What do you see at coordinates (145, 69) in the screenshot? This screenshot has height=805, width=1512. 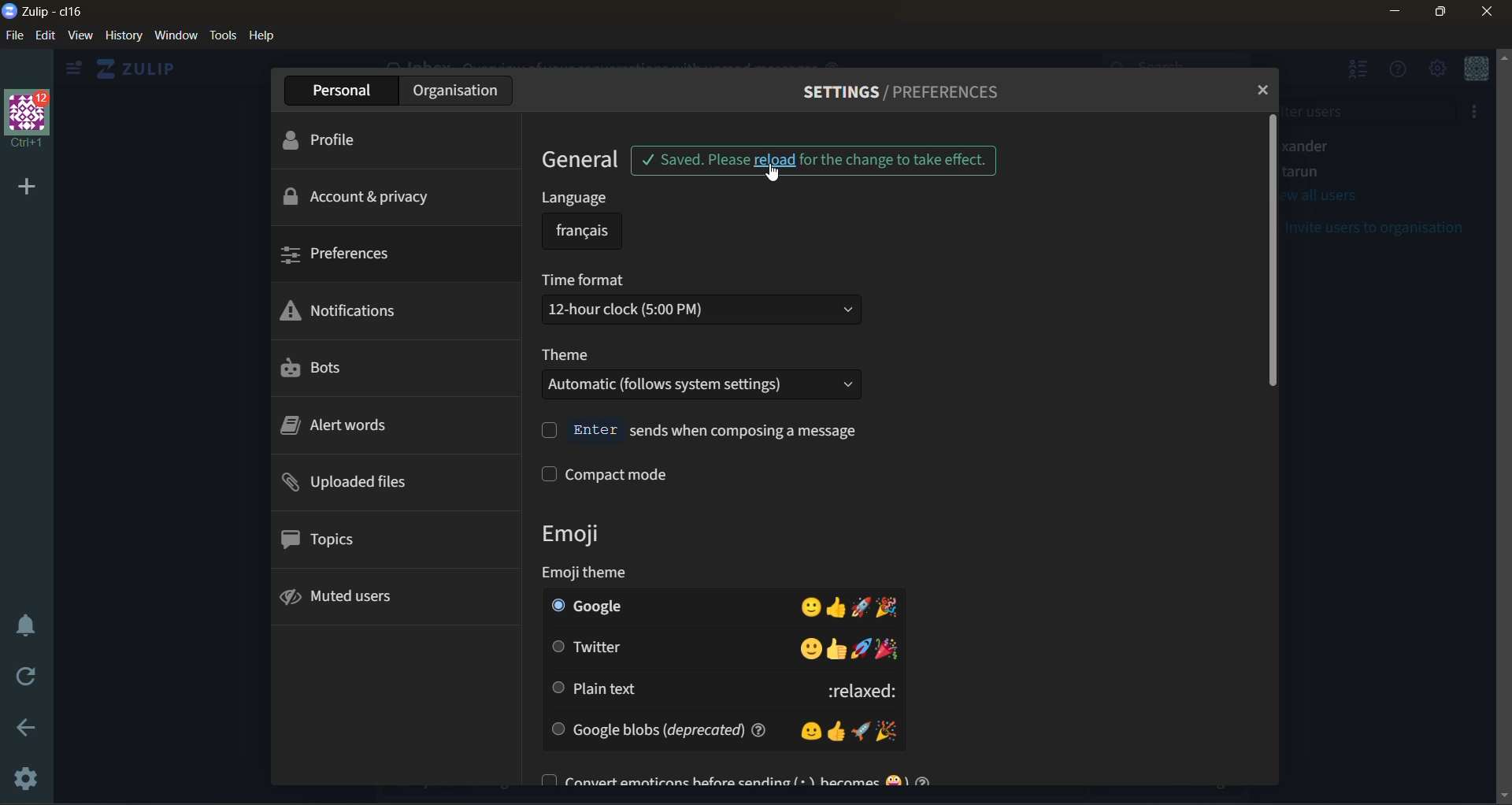 I see `home` at bounding box center [145, 69].